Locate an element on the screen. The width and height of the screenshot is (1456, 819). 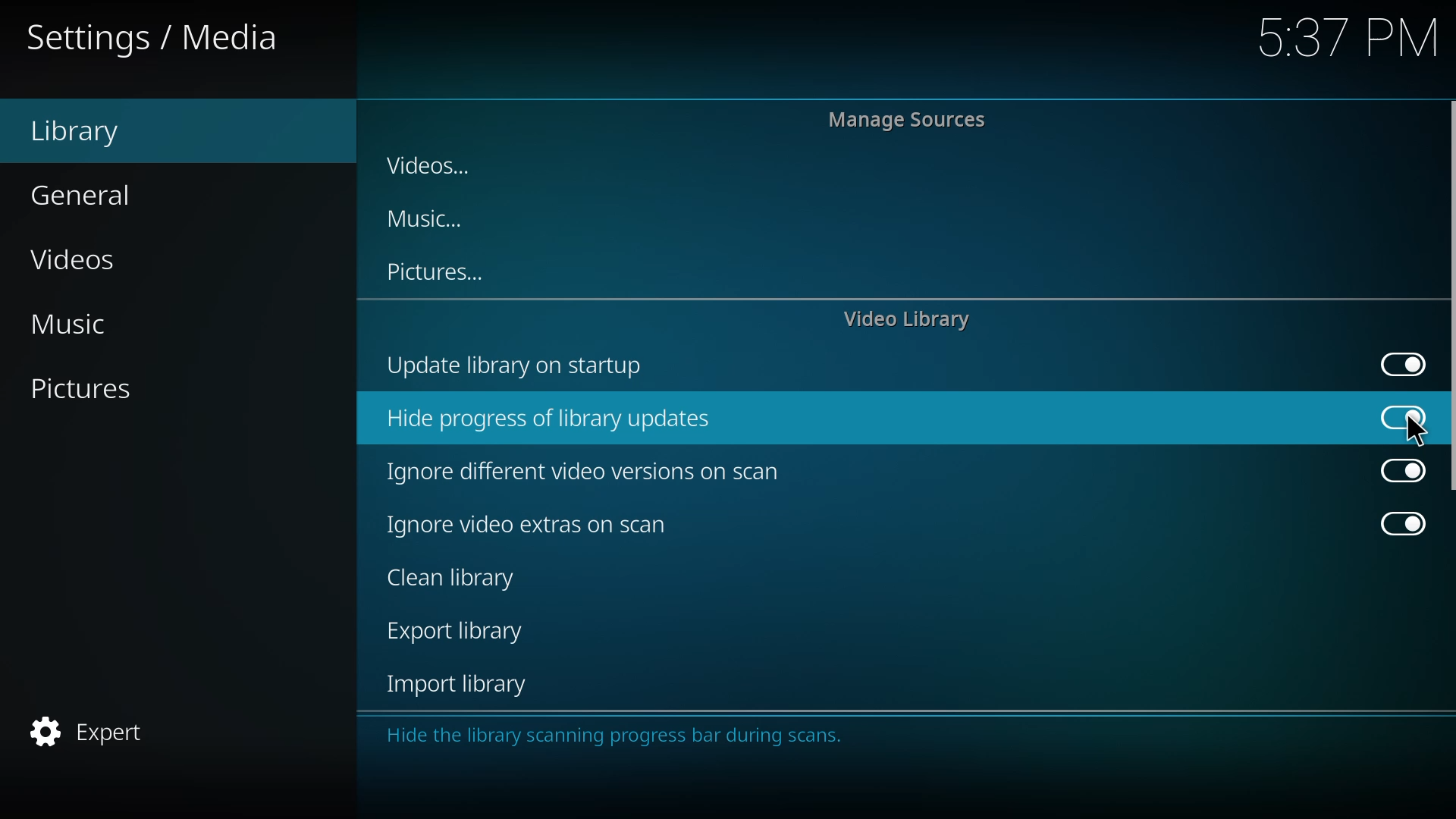
5.37 PM is located at coordinates (1346, 42).